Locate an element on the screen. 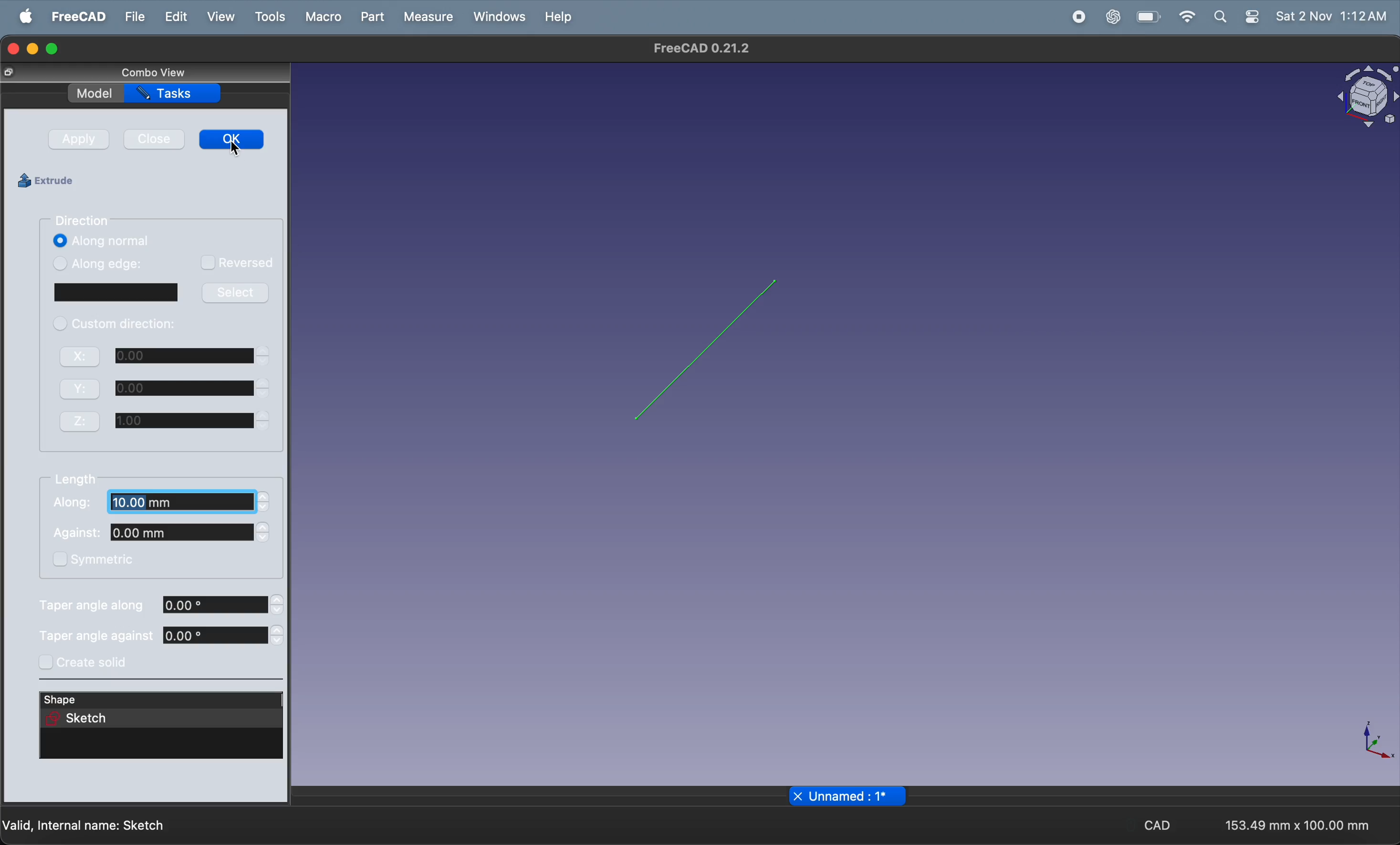  sketch is located at coordinates (158, 721).